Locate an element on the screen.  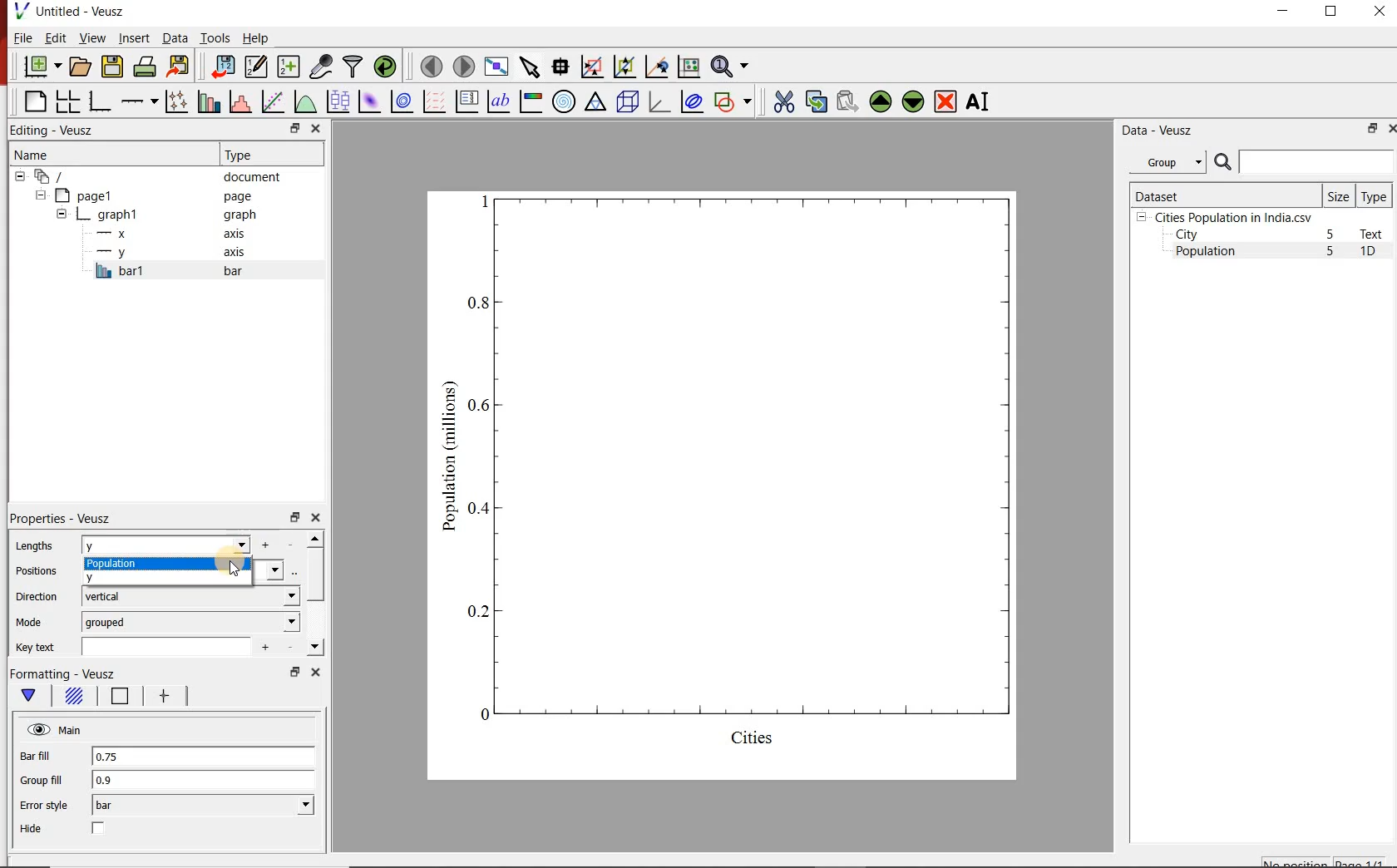
grouped is located at coordinates (191, 621).